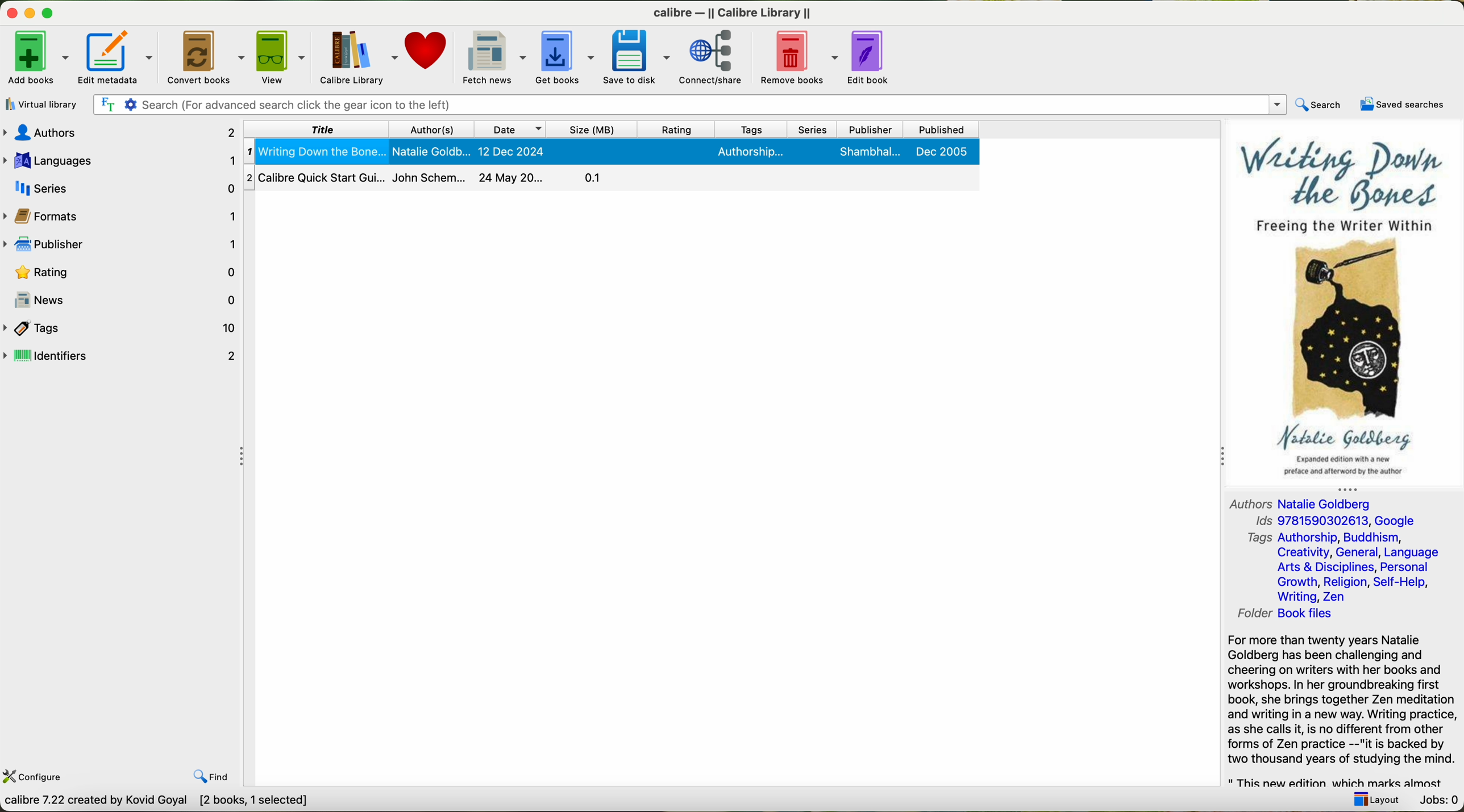 The width and height of the screenshot is (1464, 812). I want to click on edit book, so click(873, 57).